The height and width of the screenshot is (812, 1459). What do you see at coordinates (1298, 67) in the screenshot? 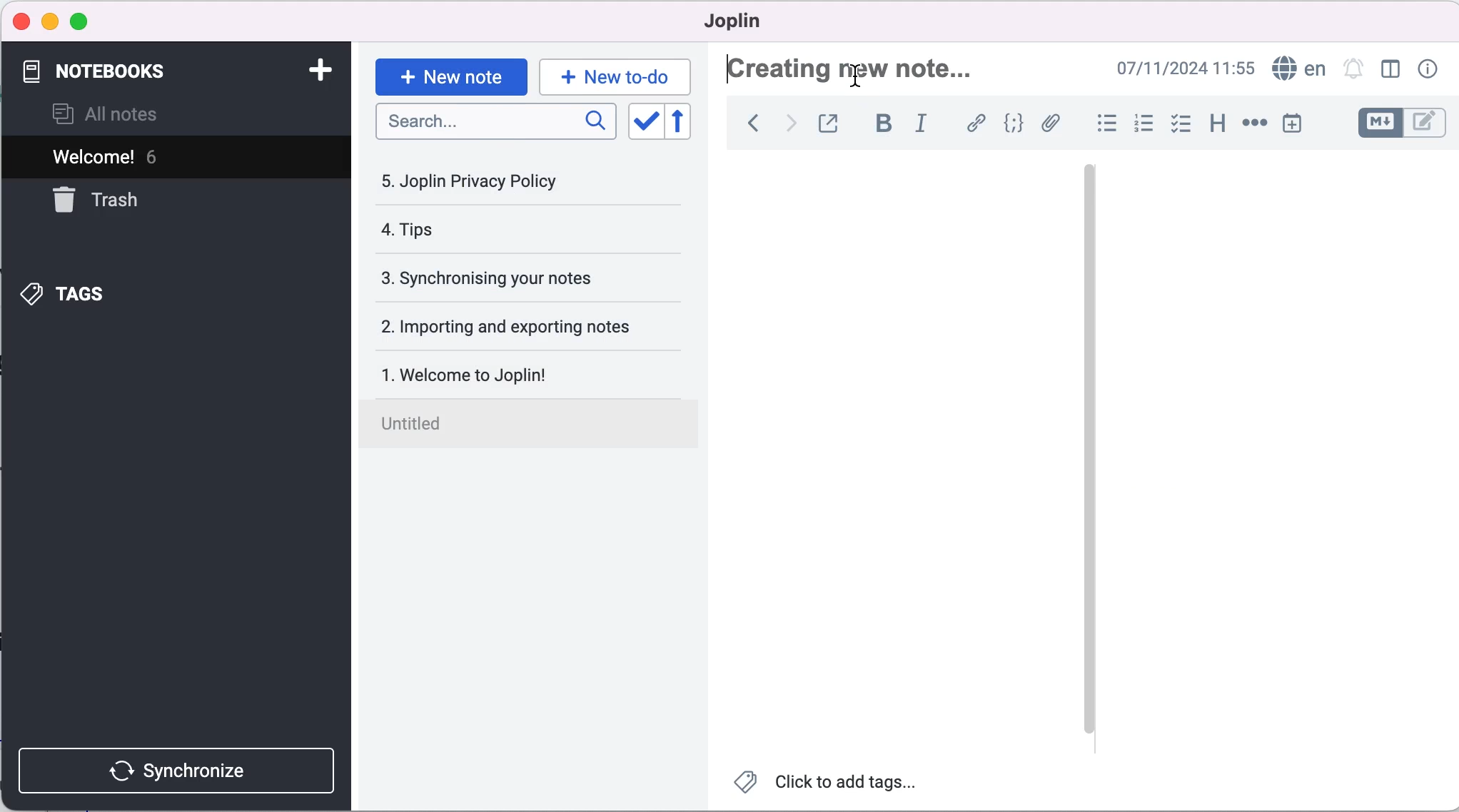
I see `language` at bounding box center [1298, 67].